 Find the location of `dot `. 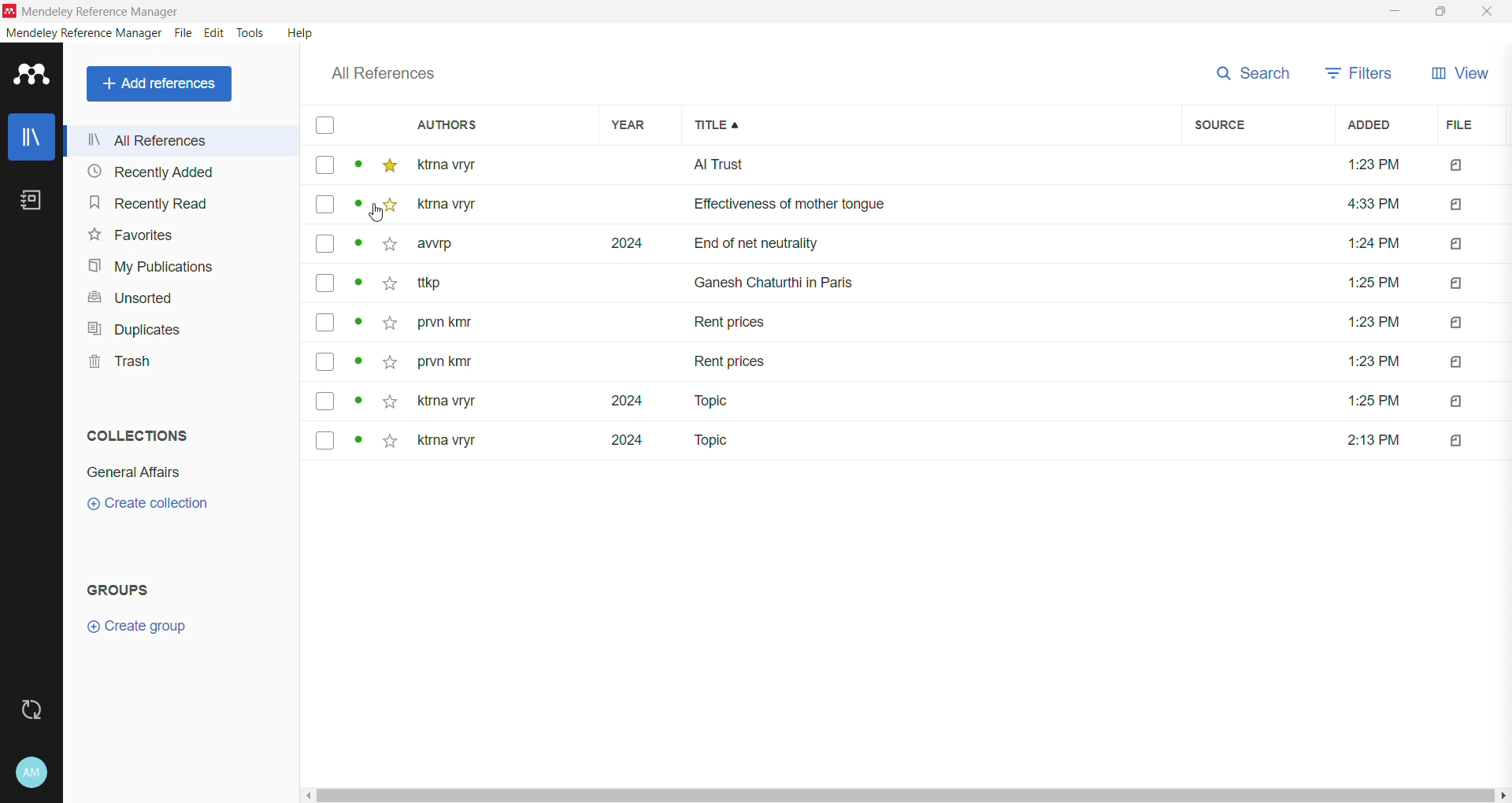

dot  is located at coordinates (358, 248).